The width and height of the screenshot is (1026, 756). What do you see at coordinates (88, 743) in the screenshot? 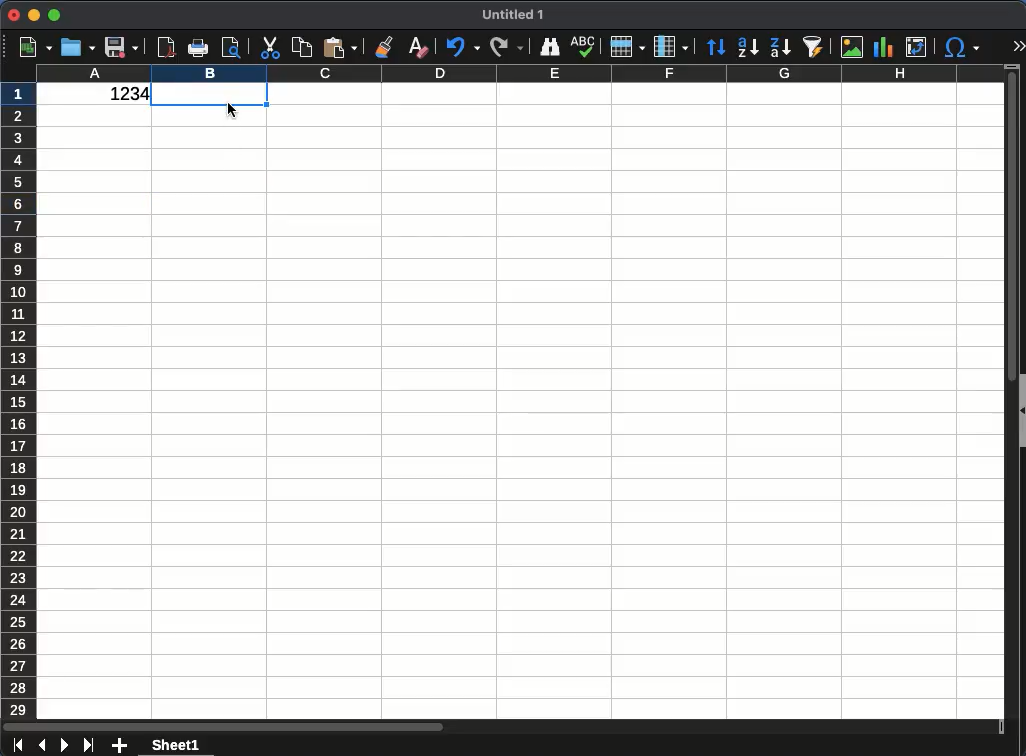
I see `last sheet` at bounding box center [88, 743].